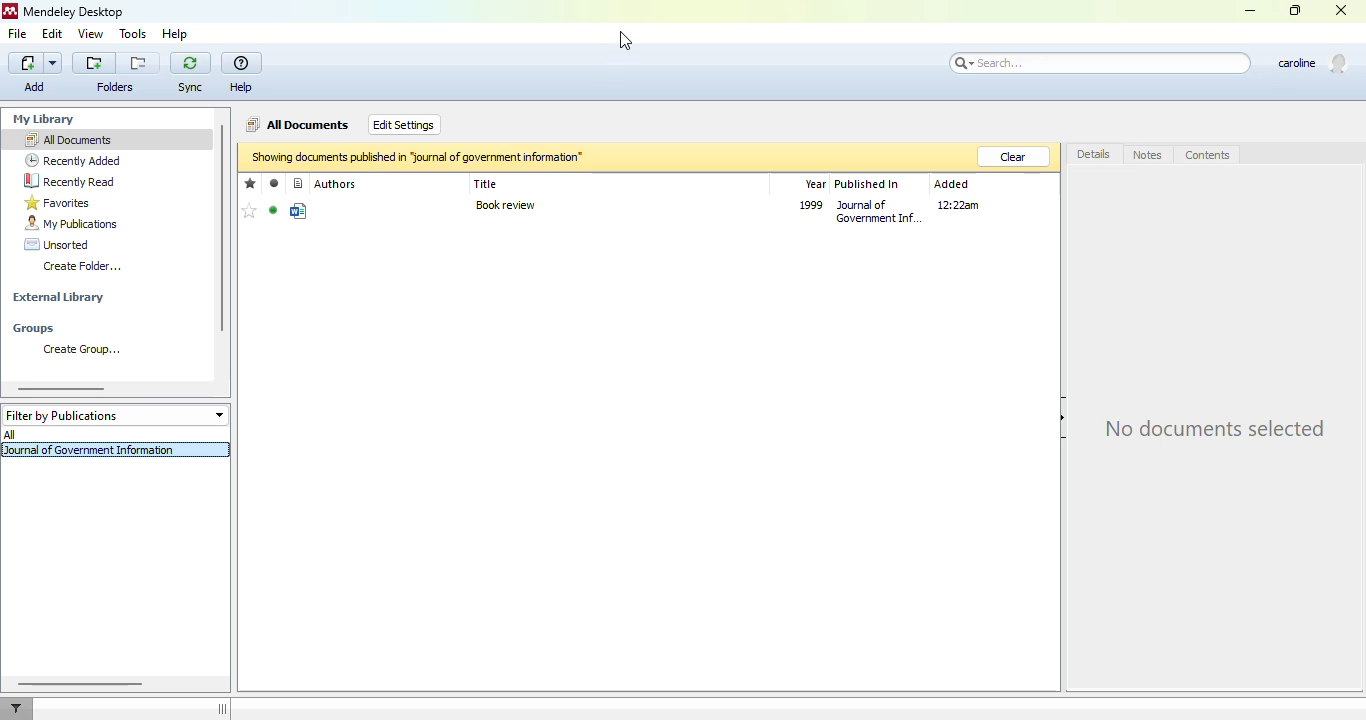 The width and height of the screenshot is (1366, 720). What do you see at coordinates (58, 202) in the screenshot?
I see `favorites` at bounding box center [58, 202].